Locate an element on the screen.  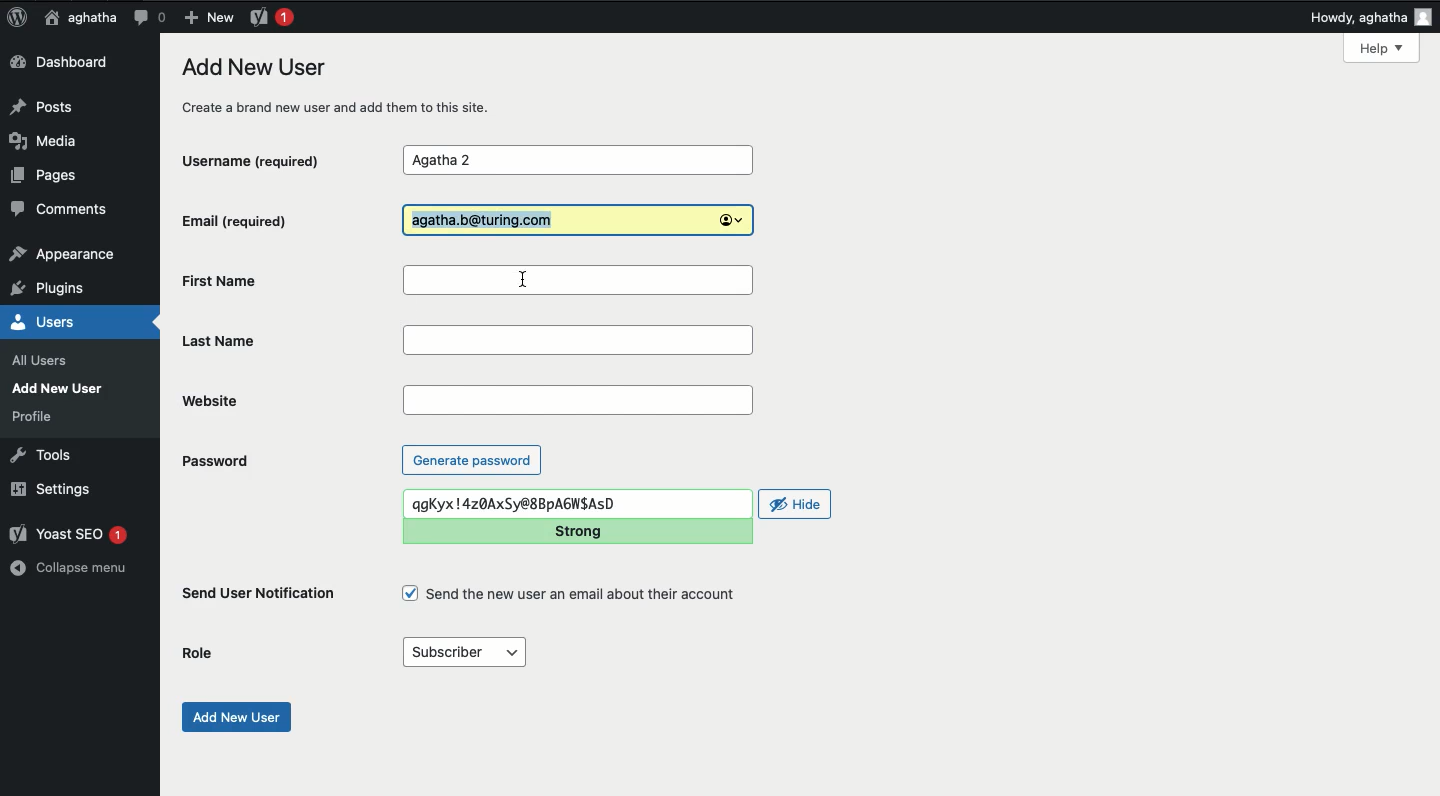
Last name is located at coordinates (287, 342).